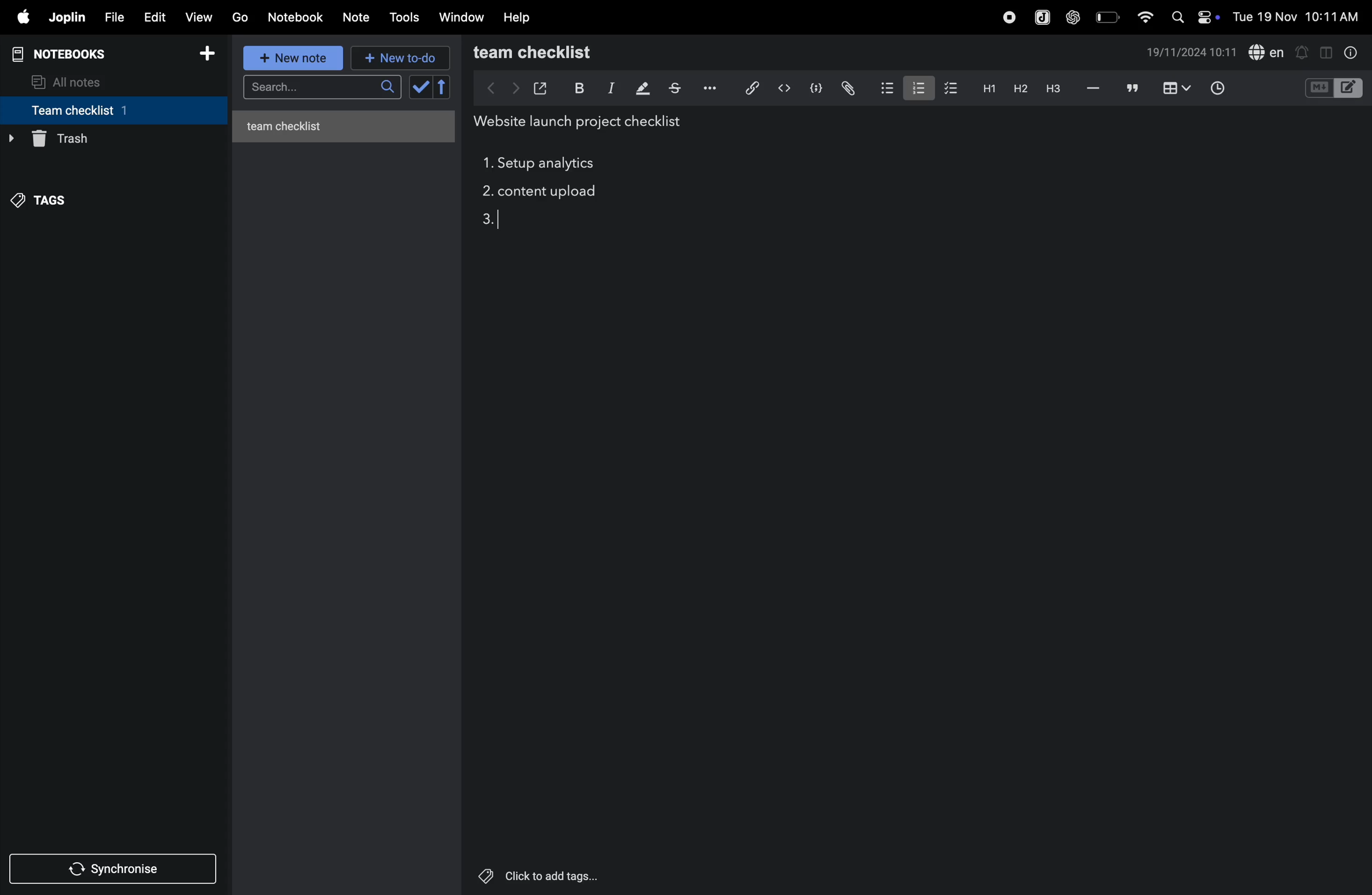 Image resolution: width=1372 pixels, height=895 pixels. What do you see at coordinates (295, 59) in the screenshot?
I see `new note` at bounding box center [295, 59].